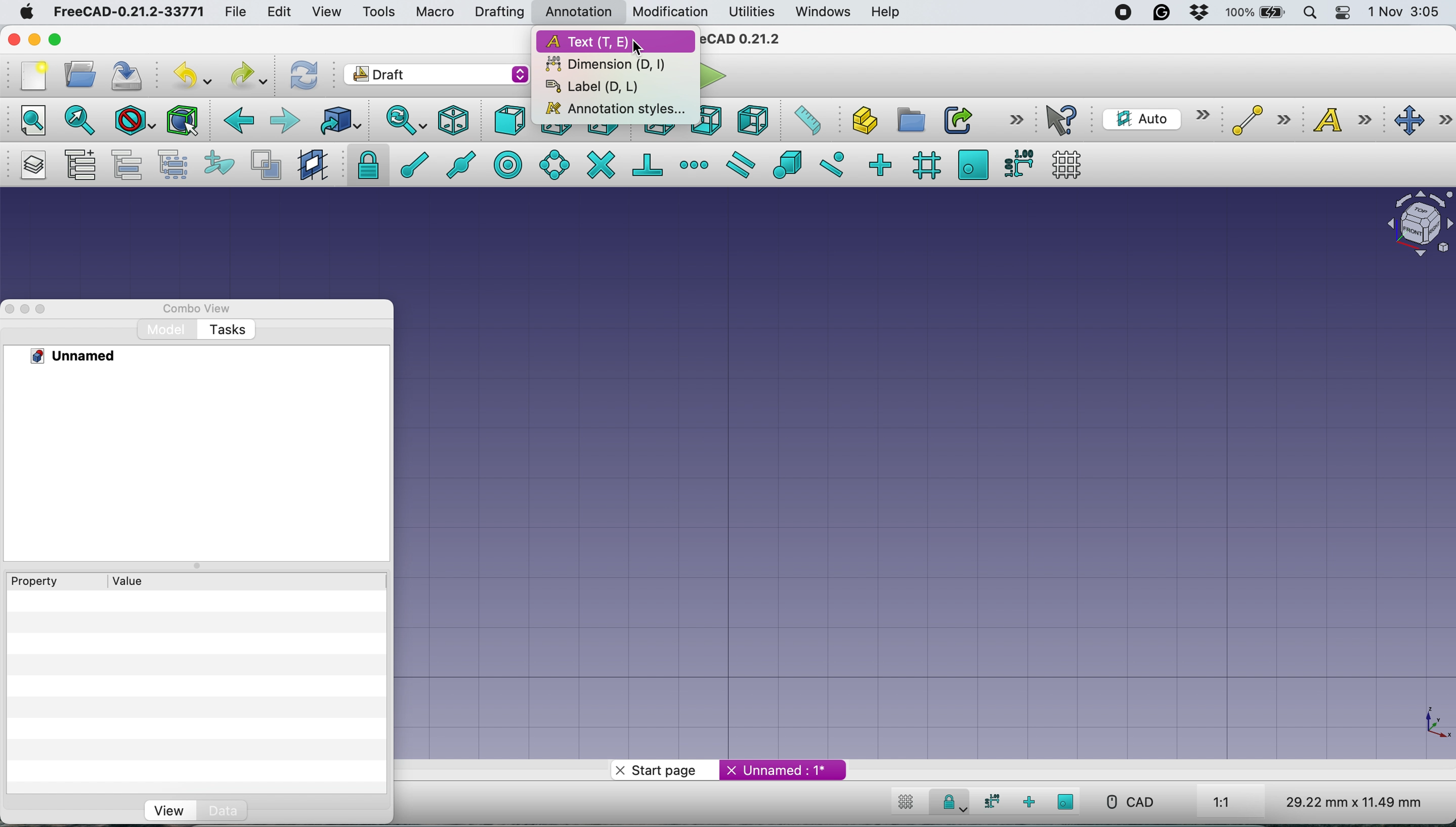 The width and height of the screenshot is (1456, 827). Describe the element at coordinates (83, 120) in the screenshot. I see `fit selection` at that location.